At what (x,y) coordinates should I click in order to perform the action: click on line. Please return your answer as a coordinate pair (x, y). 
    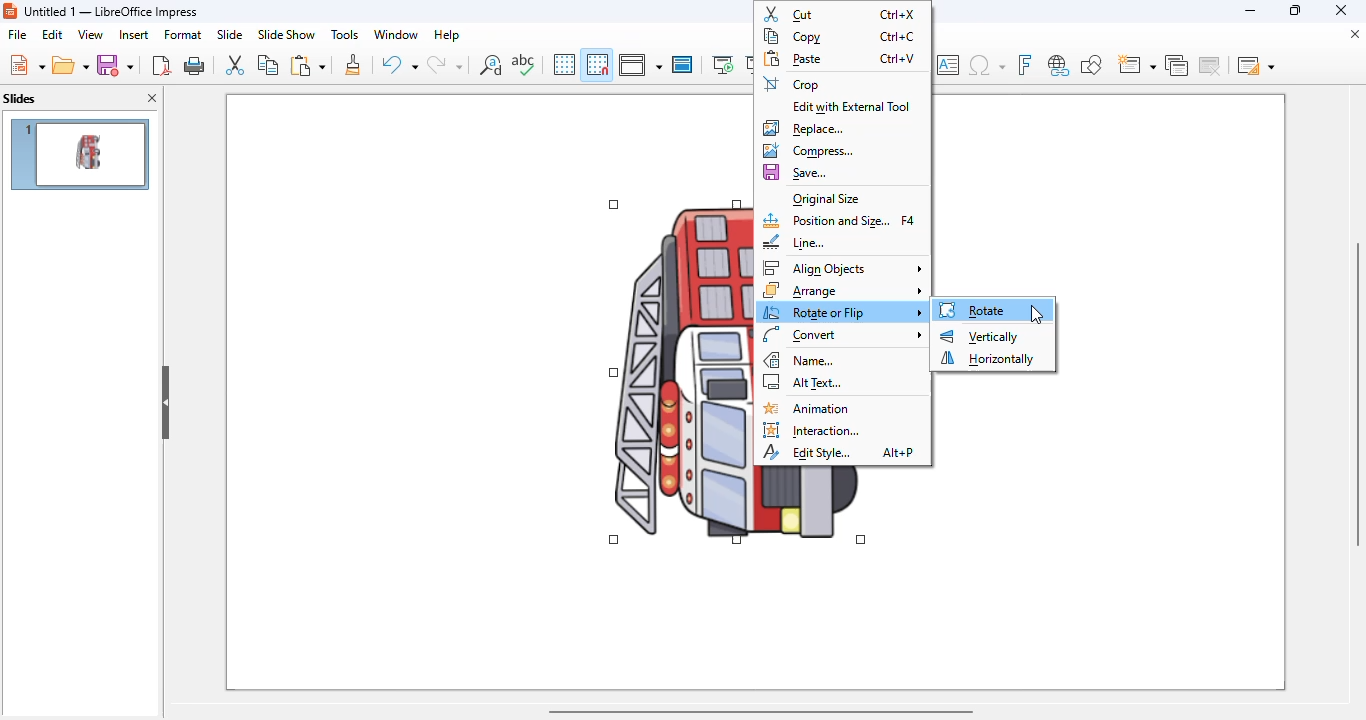
    Looking at the image, I should click on (796, 243).